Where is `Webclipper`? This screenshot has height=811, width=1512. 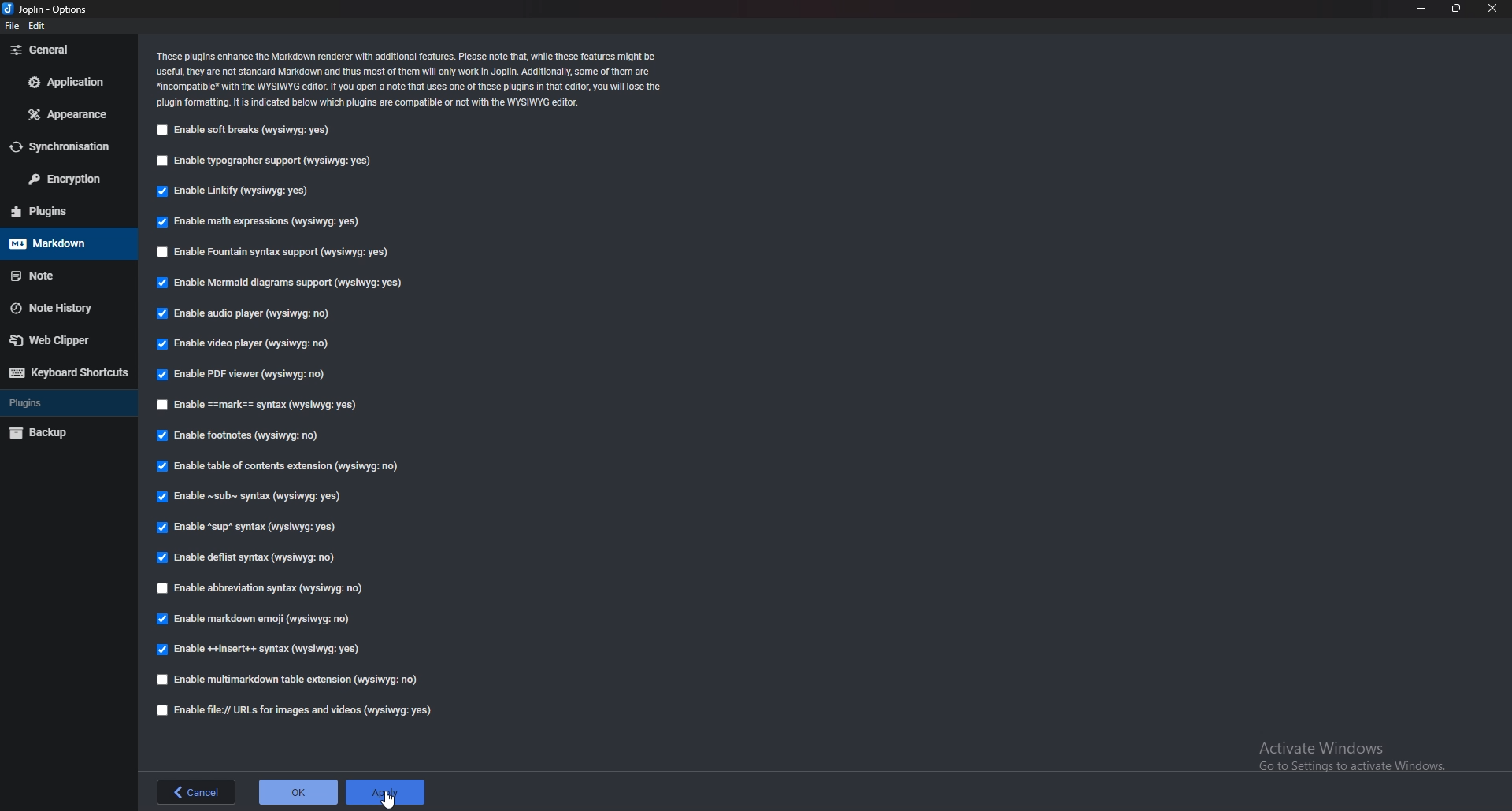 Webclipper is located at coordinates (62, 339).